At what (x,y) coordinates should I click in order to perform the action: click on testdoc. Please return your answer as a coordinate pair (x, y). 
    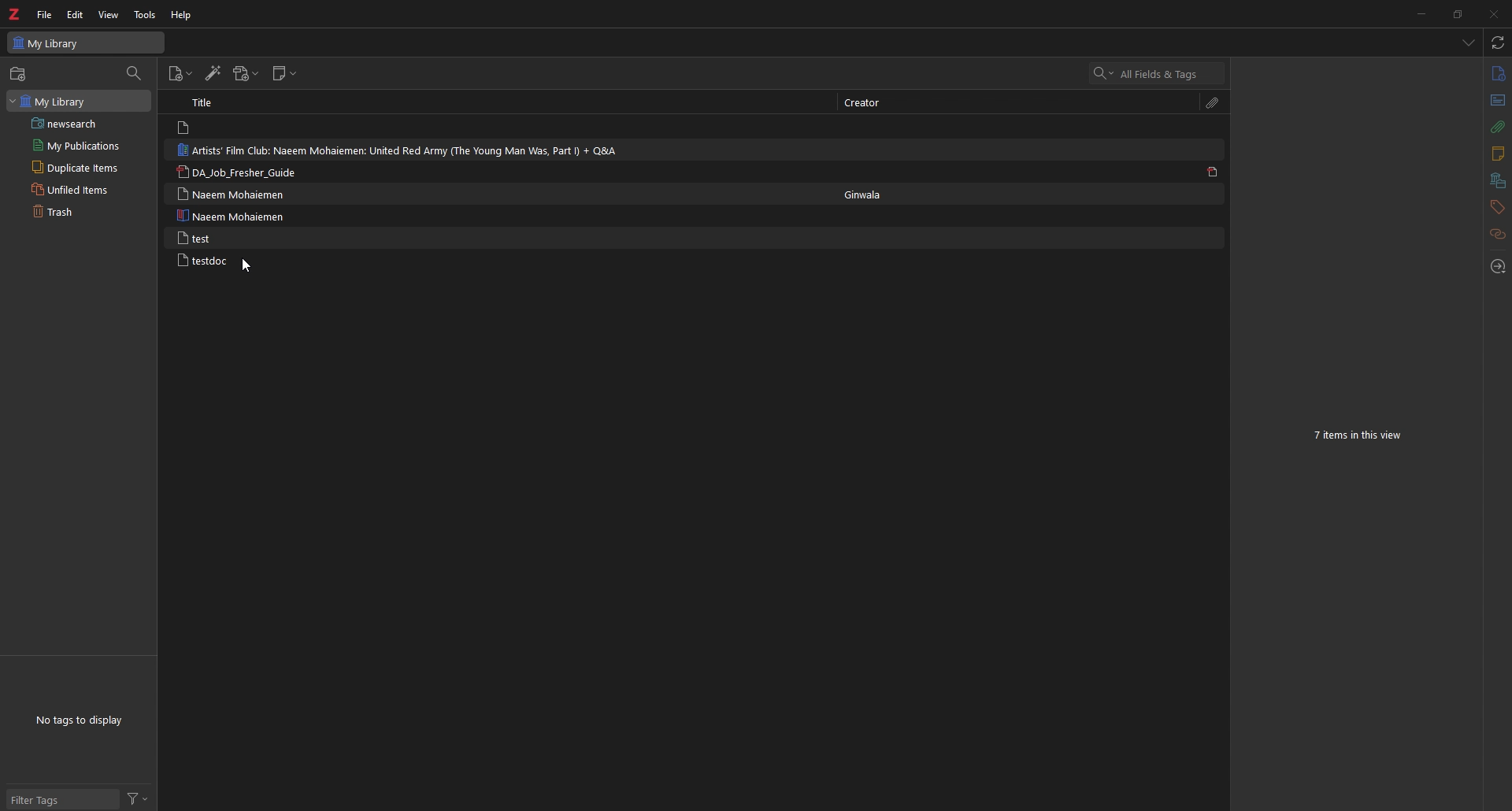
    Looking at the image, I should click on (235, 260).